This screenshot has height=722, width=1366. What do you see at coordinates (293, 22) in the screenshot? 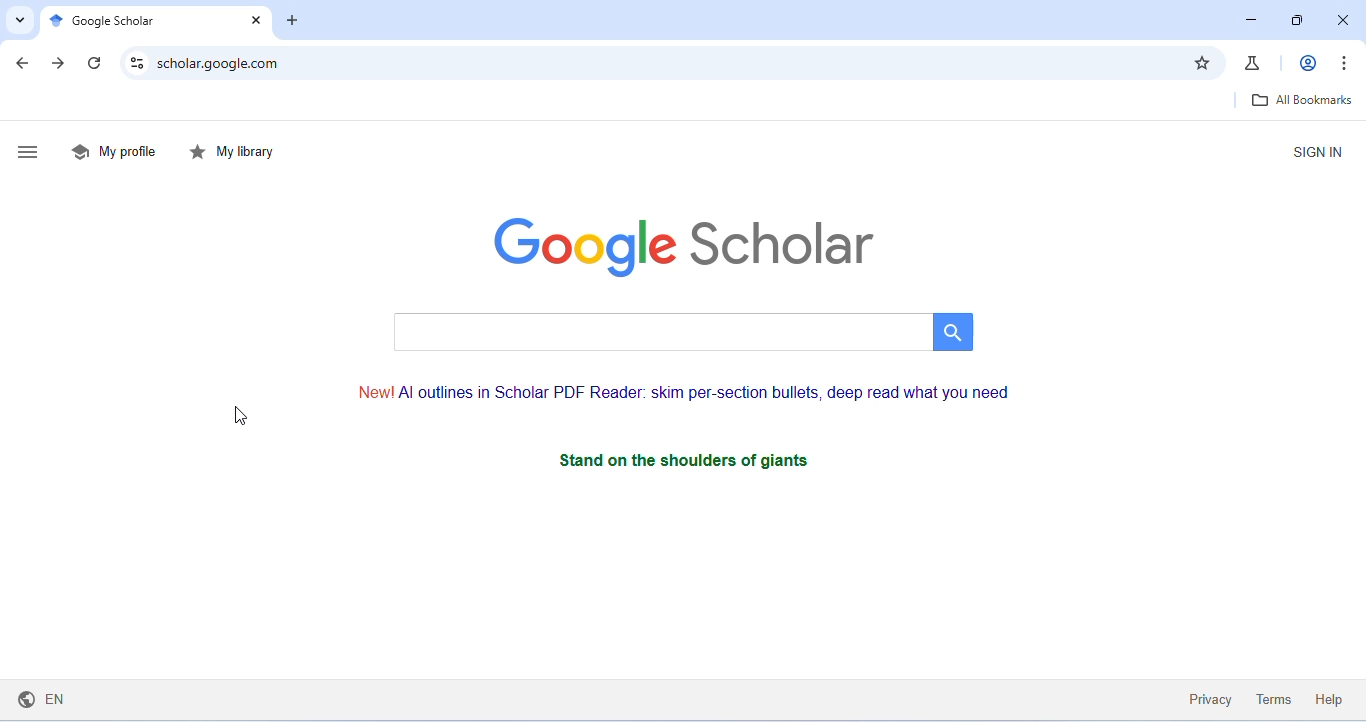
I see `add new tab` at bounding box center [293, 22].